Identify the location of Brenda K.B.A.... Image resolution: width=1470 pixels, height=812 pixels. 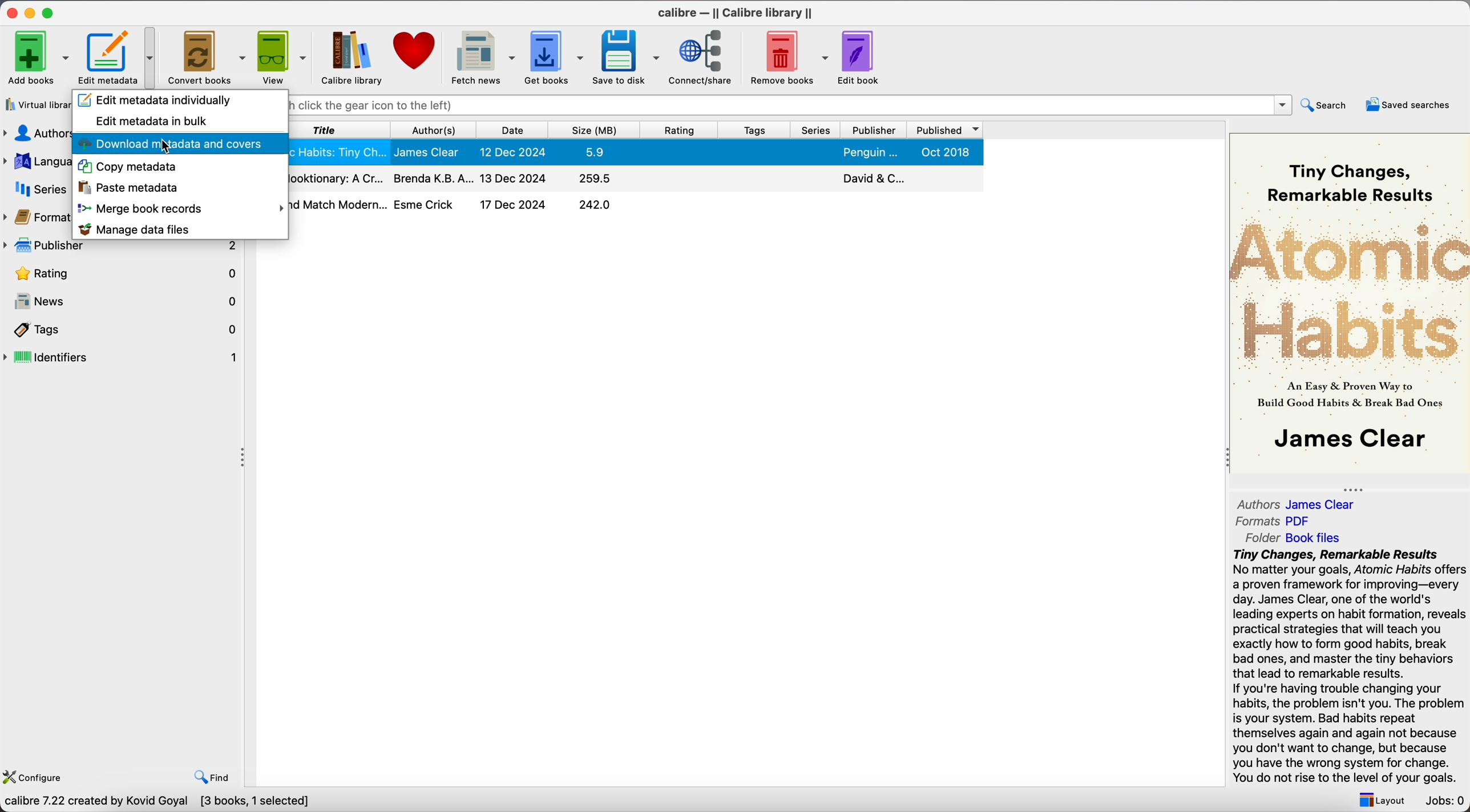
(433, 179).